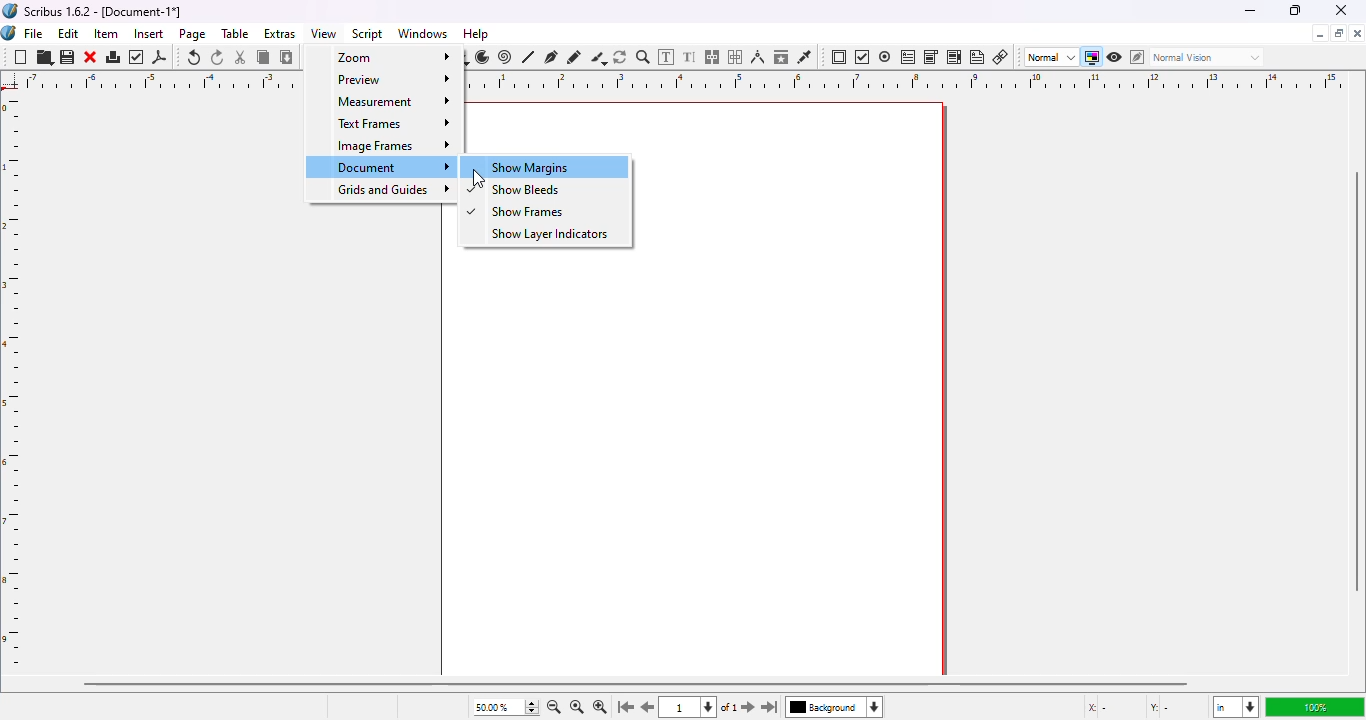 The image size is (1366, 720). I want to click on normal, so click(1050, 57).